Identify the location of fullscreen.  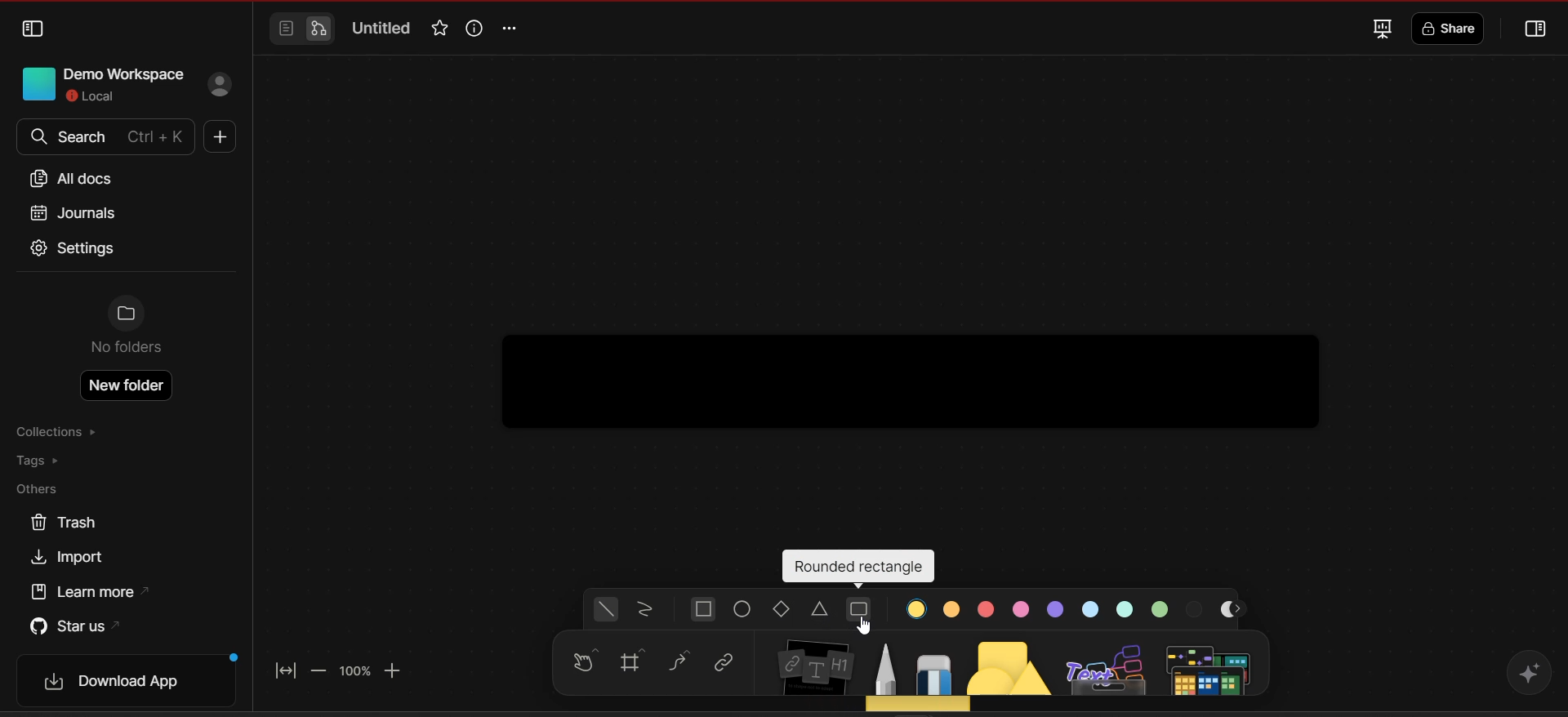
(1380, 28).